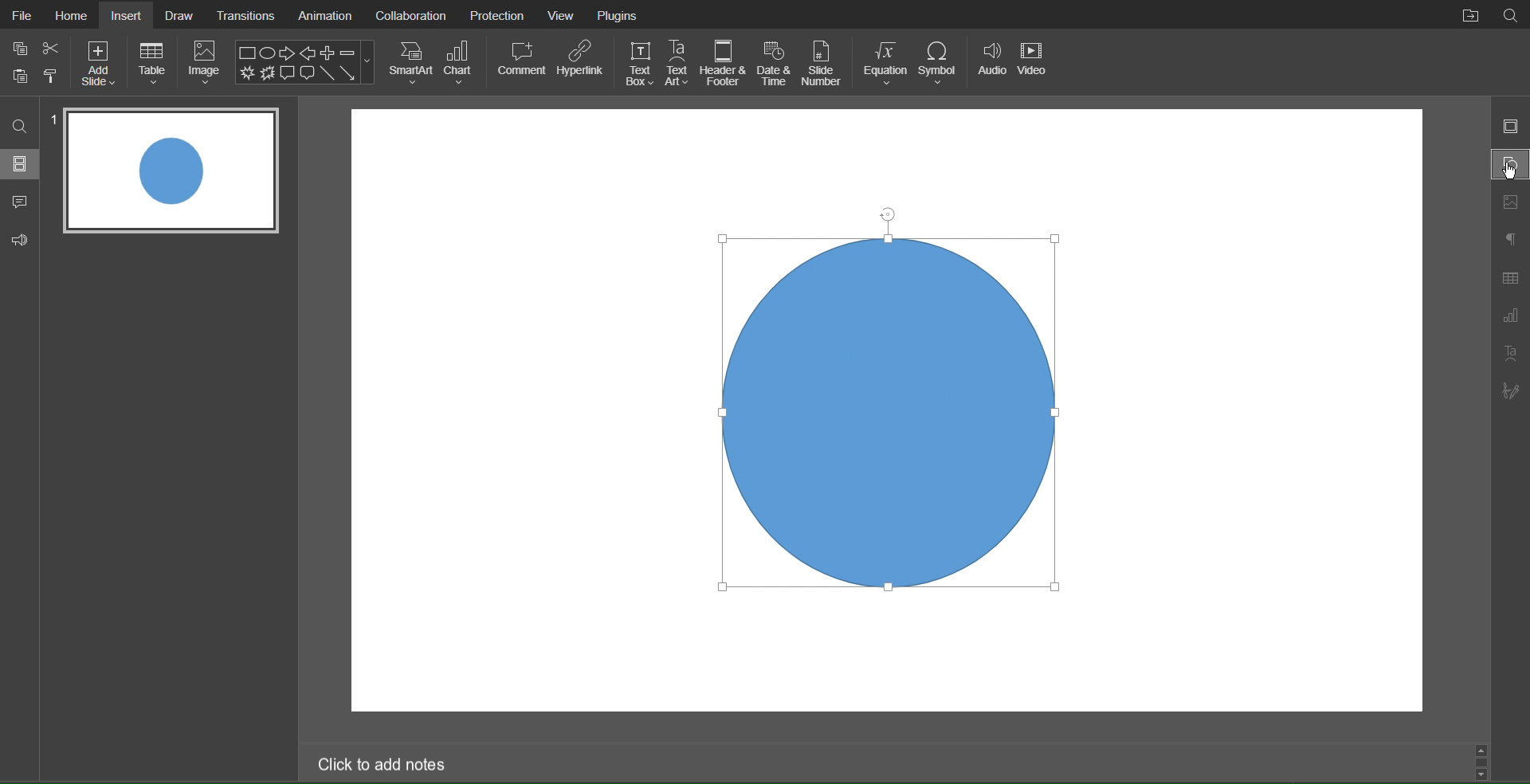  Describe the element at coordinates (882, 414) in the screenshot. I see `Circle Selected` at that location.